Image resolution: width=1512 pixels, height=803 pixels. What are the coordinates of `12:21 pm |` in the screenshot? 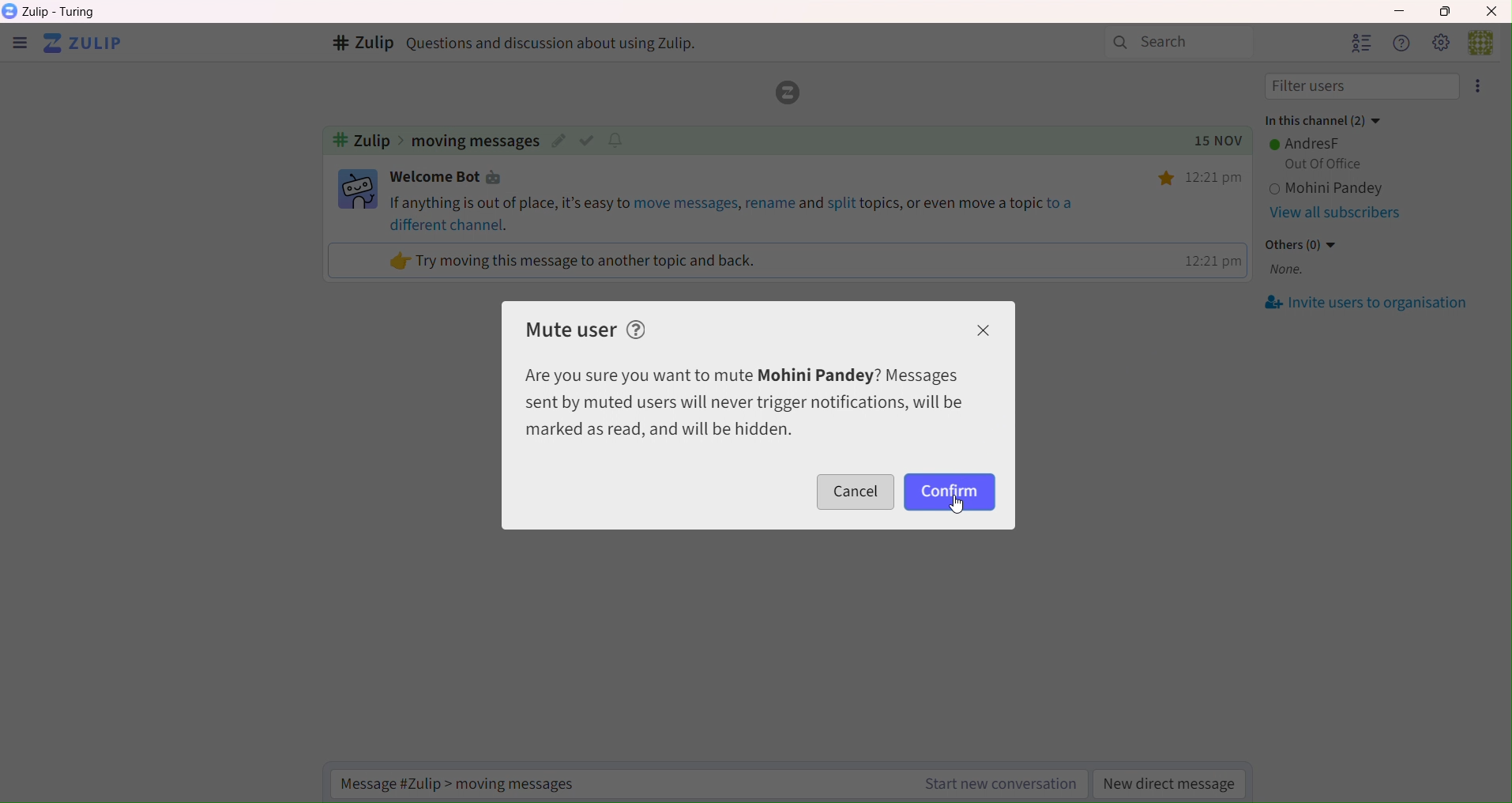 It's located at (1211, 260).